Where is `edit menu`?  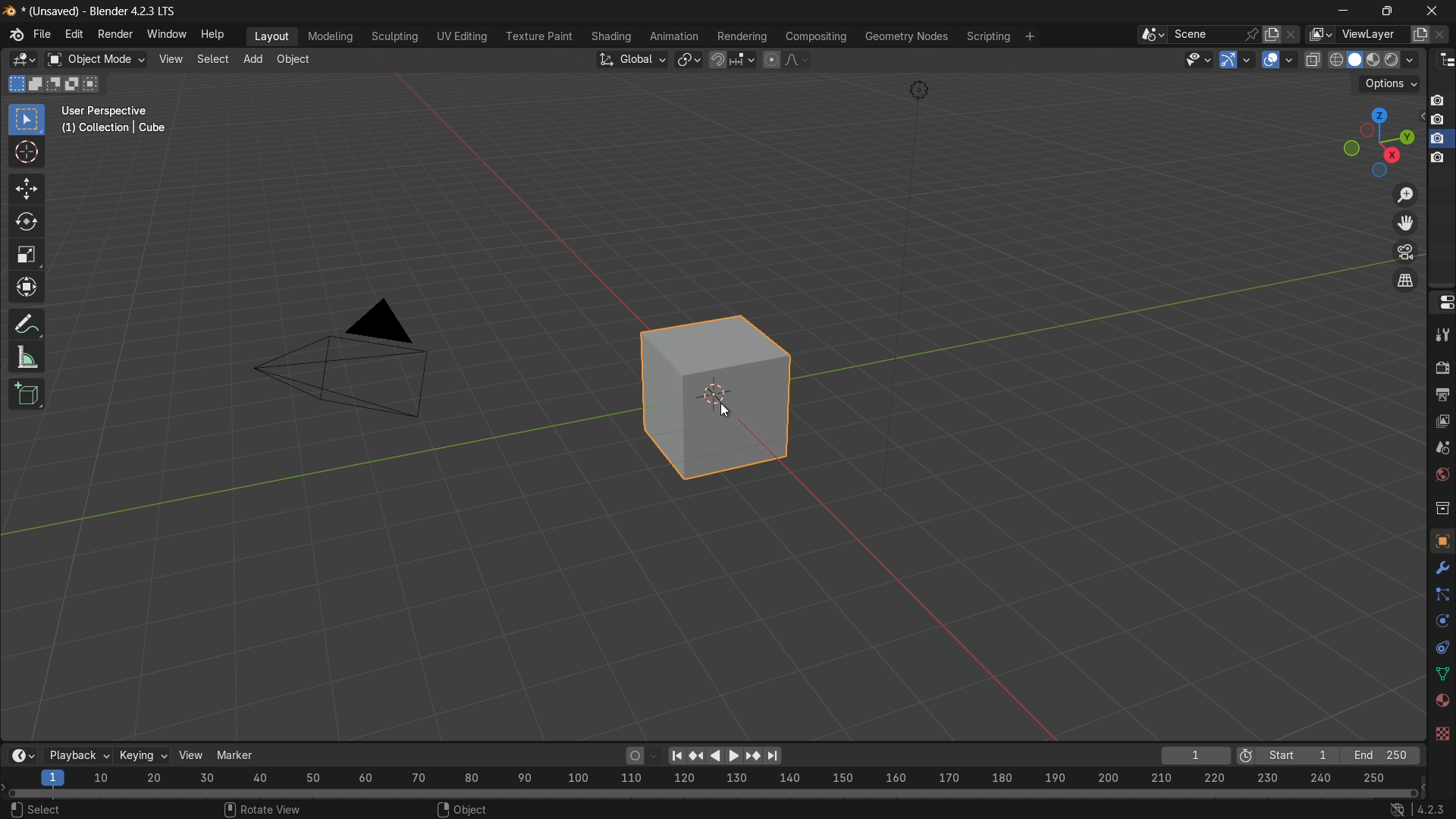 edit menu is located at coordinates (74, 34).